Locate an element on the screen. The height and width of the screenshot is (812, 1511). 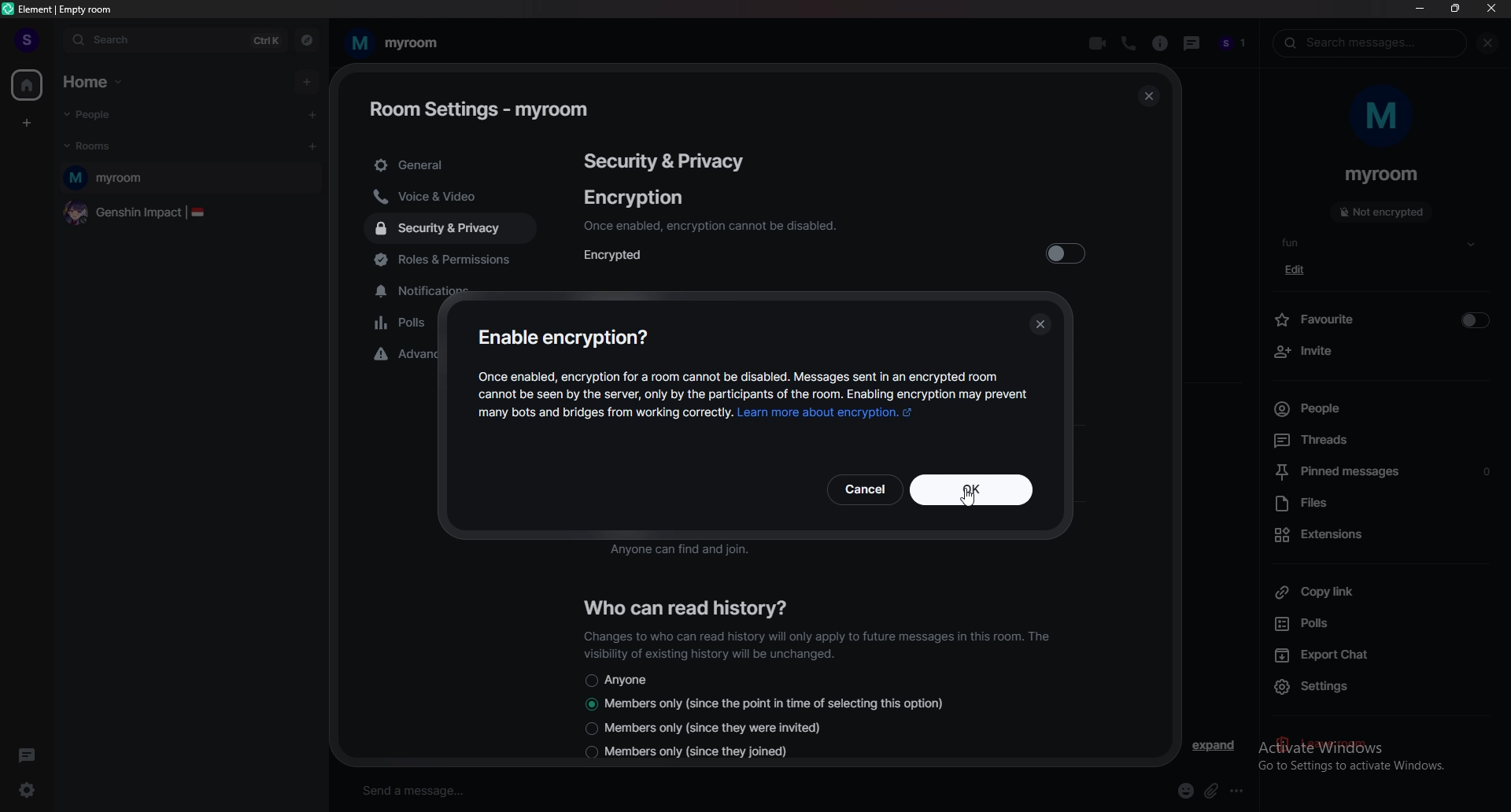
edit is located at coordinates (1299, 269).